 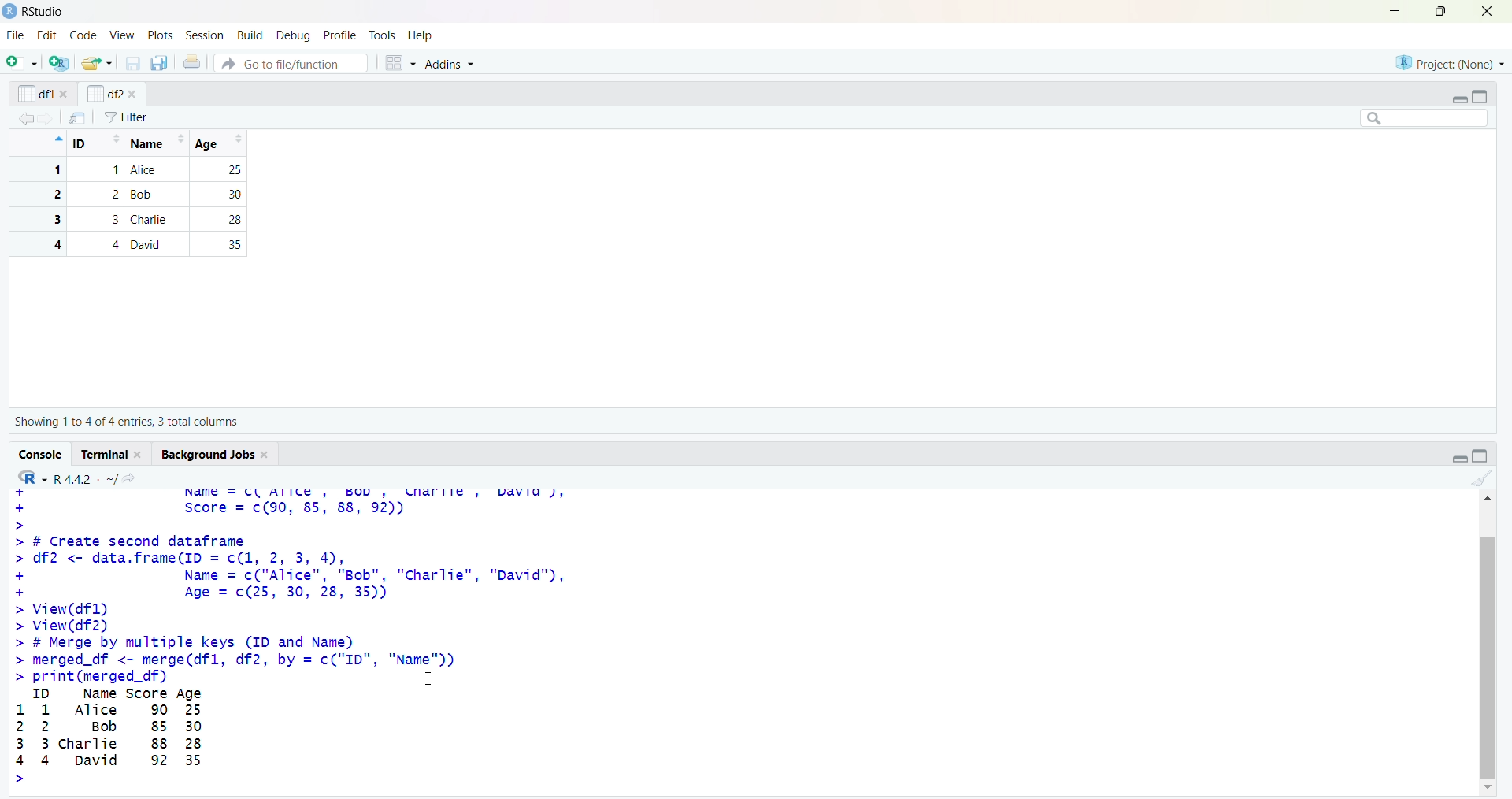 I want to click on close, so click(x=1488, y=11).